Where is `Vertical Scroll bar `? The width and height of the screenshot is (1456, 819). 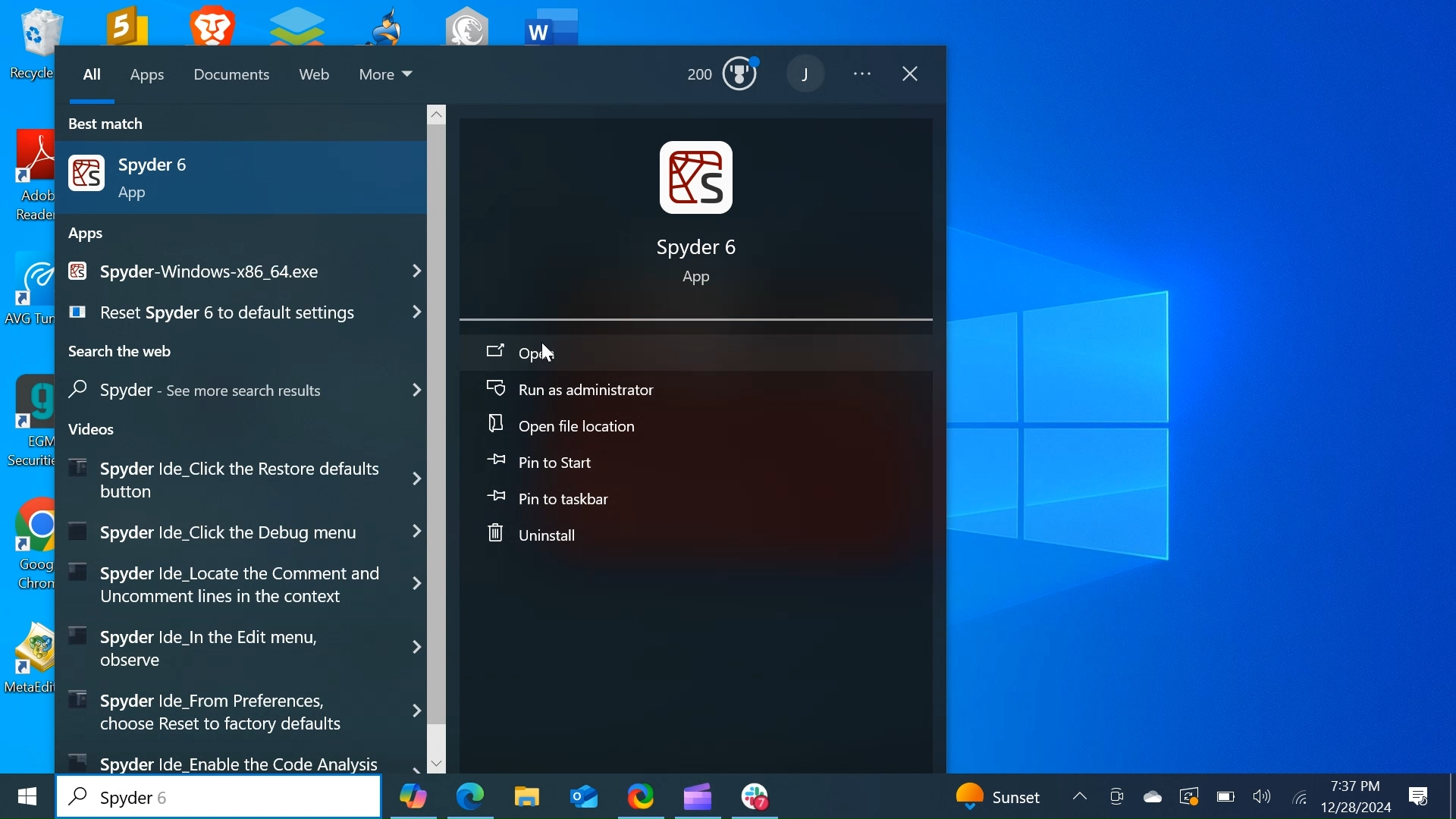
Vertical Scroll bar  is located at coordinates (438, 423).